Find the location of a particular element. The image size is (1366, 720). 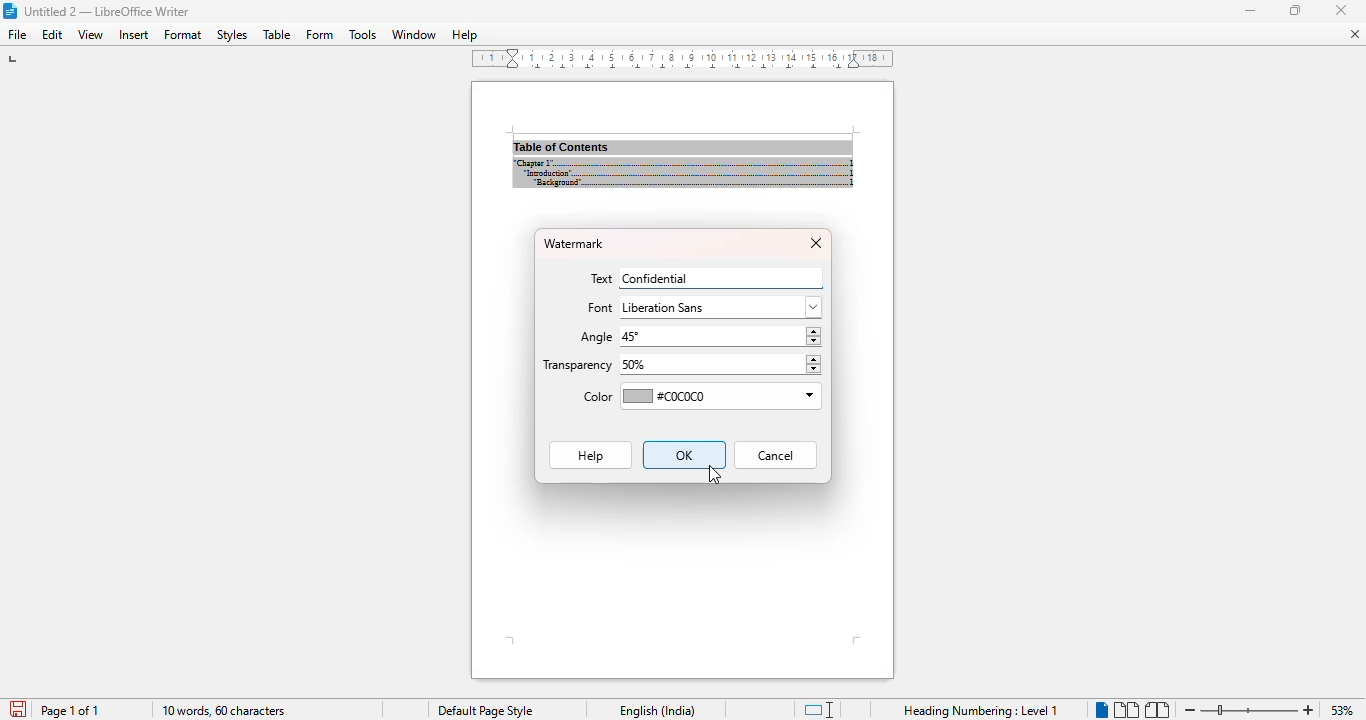

file is located at coordinates (17, 35).